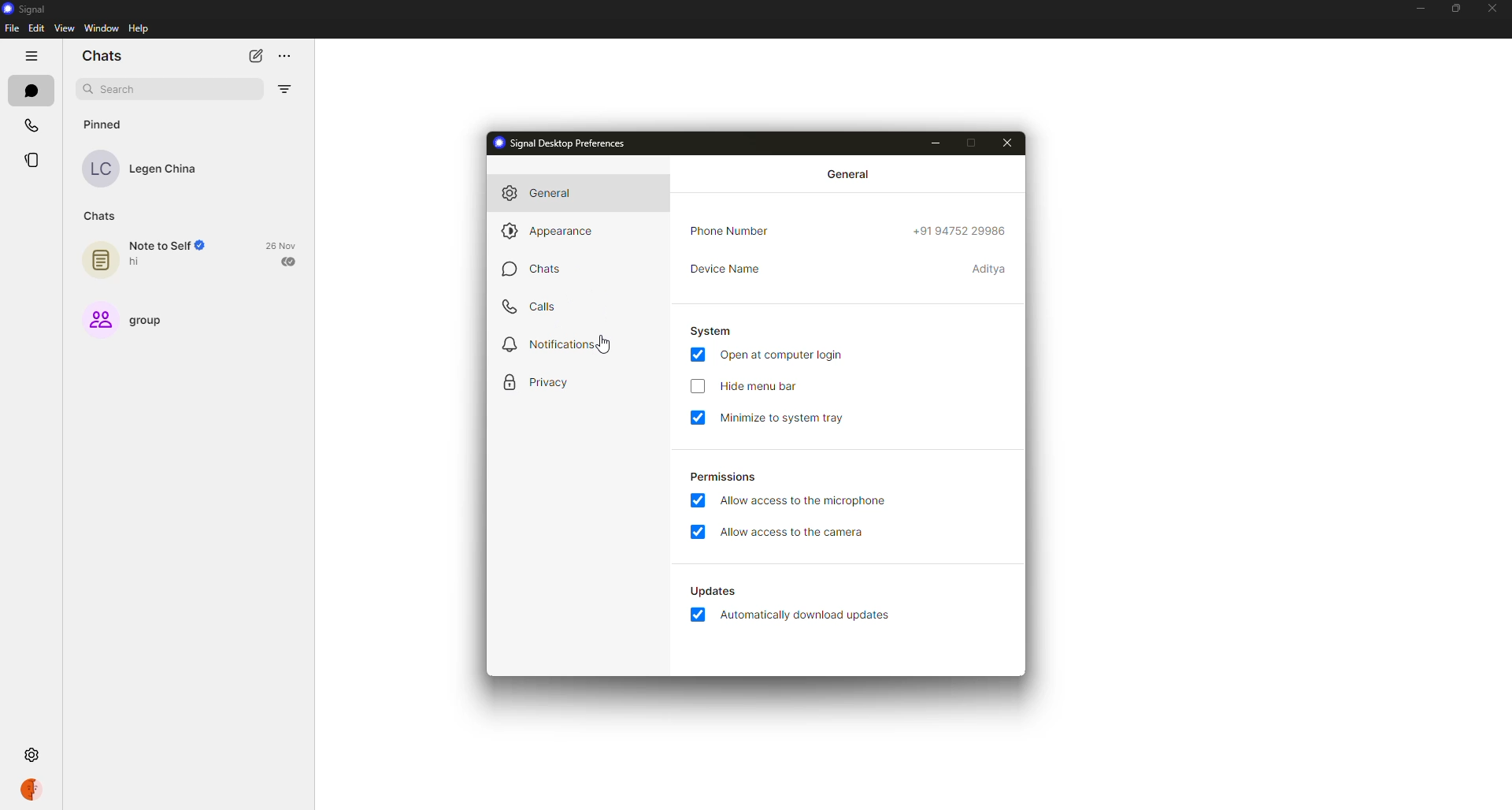 This screenshot has width=1512, height=810. I want to click on automatically download updates, so click(809, 618).